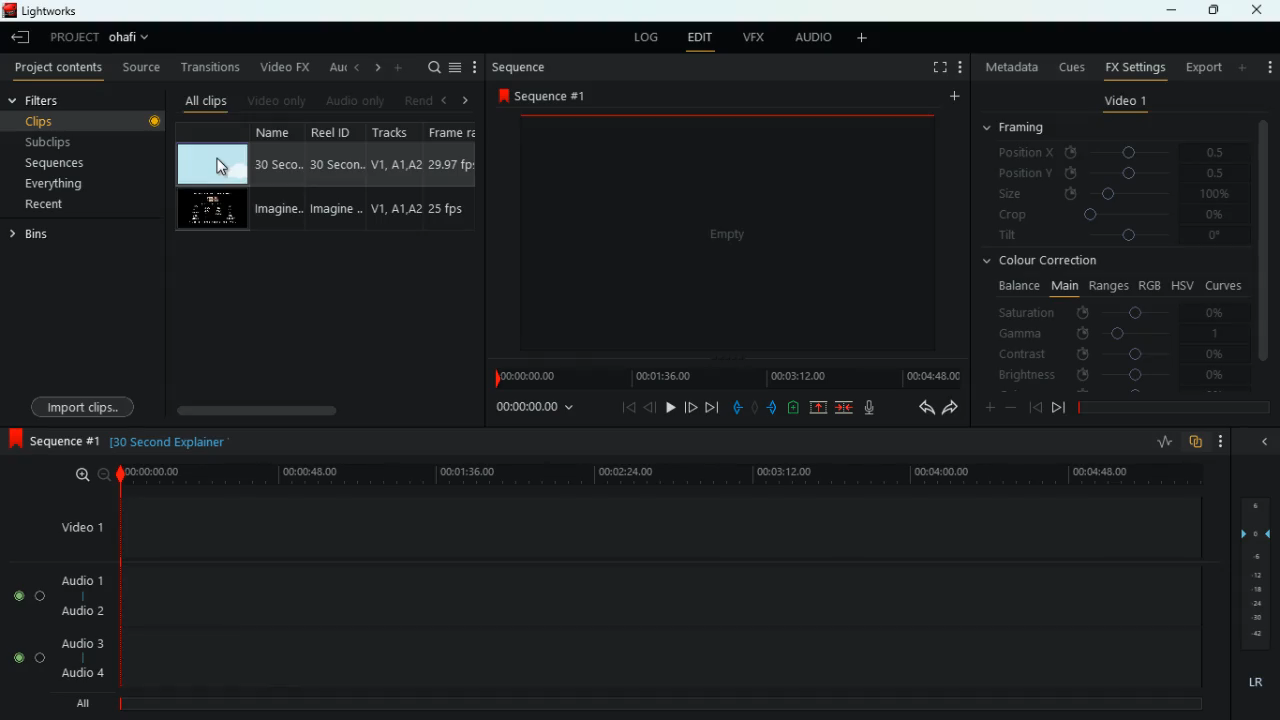 This screenshot has width=1280, height=720. I want to click on name, so click(275, 177).